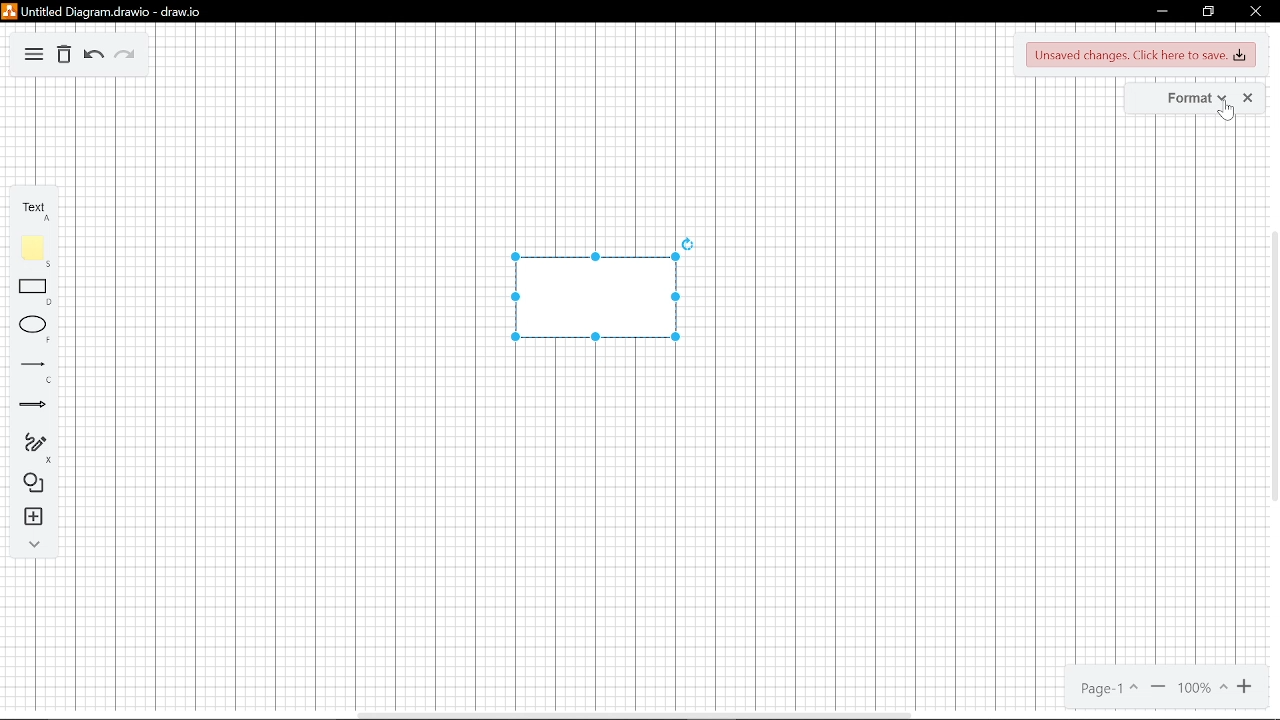 The width and height of the screenshot is (1280, 720). Describe the element at coordinates (34, 327) in the screenshot. I see `Circle` at that location.